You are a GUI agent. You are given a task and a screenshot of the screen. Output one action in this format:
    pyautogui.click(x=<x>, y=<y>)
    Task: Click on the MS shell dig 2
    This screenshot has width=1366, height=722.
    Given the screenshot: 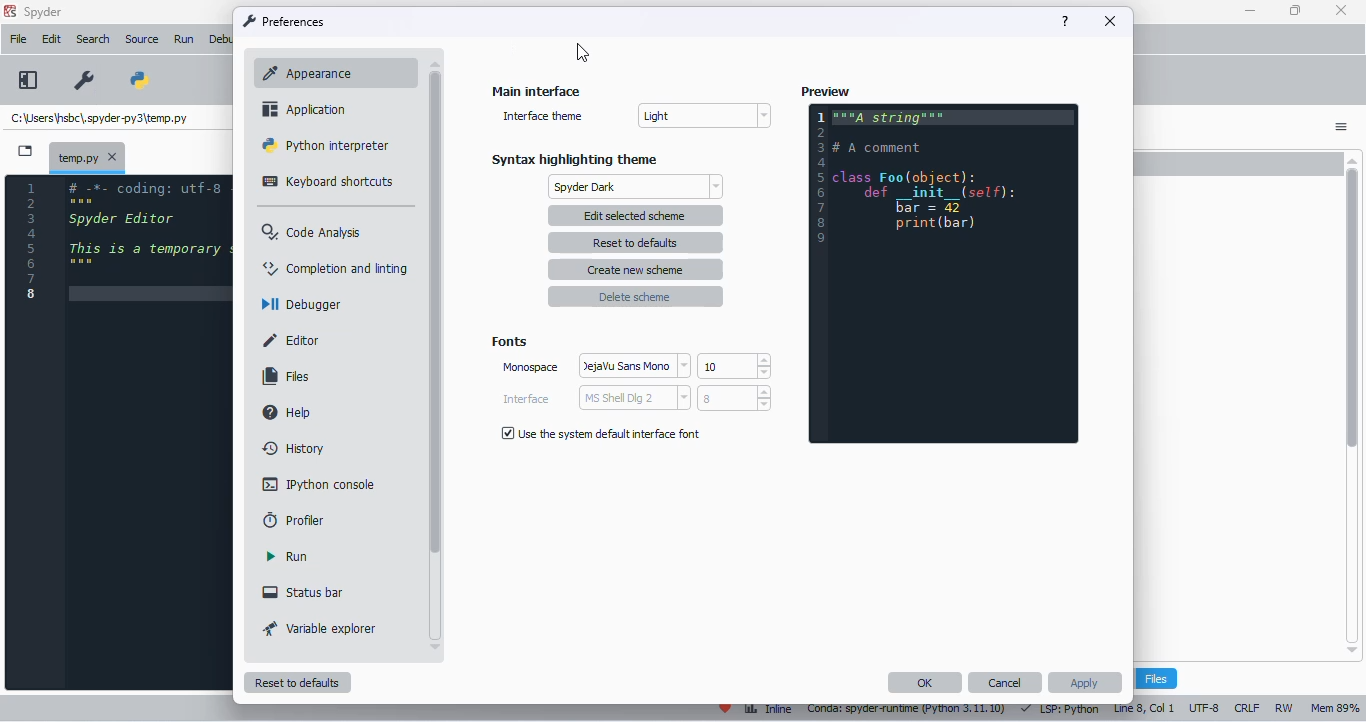 What is the action you would take?
    pyautogui.click(x=635, y=397)
    